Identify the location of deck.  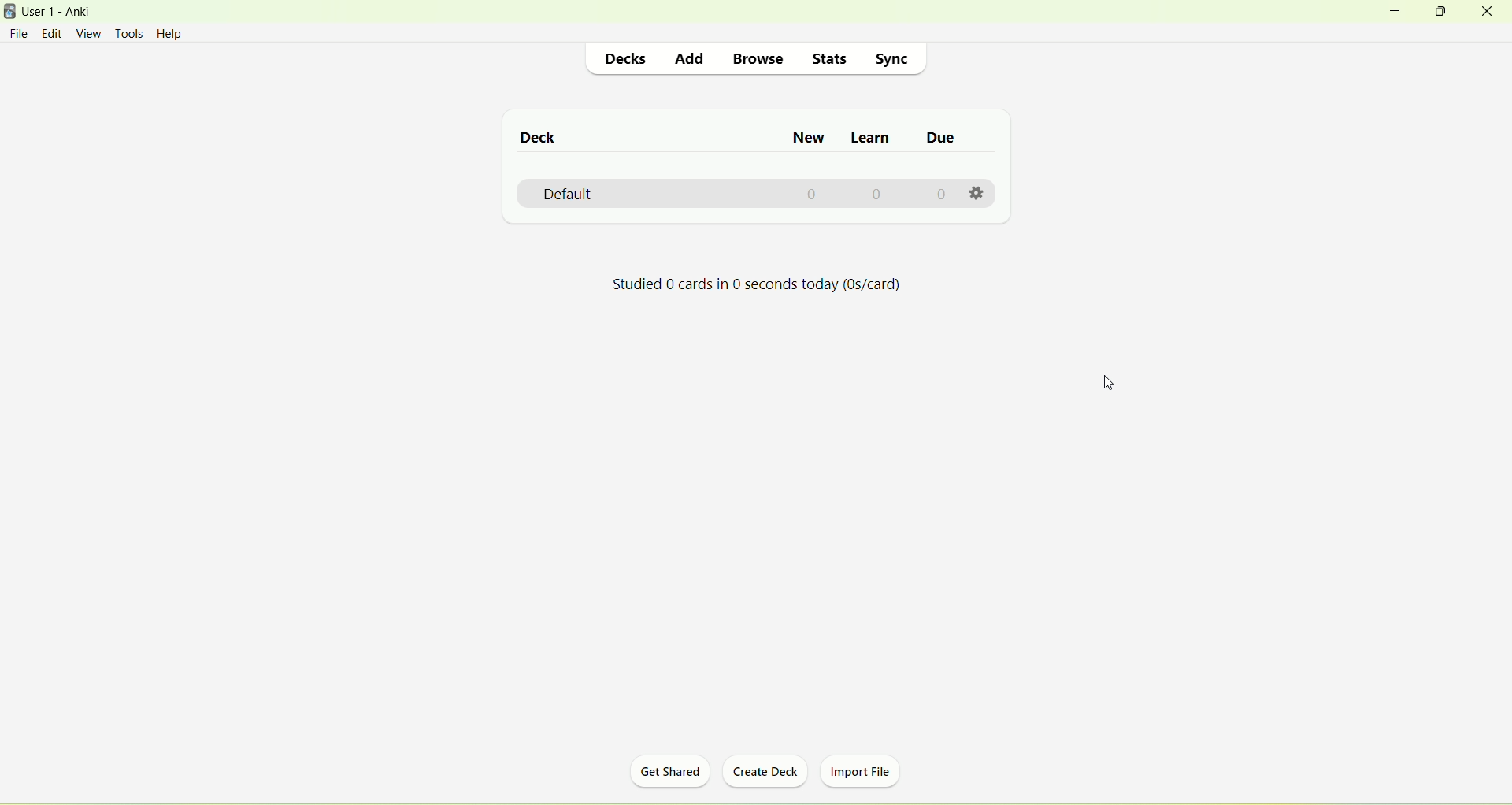
(549, 139).